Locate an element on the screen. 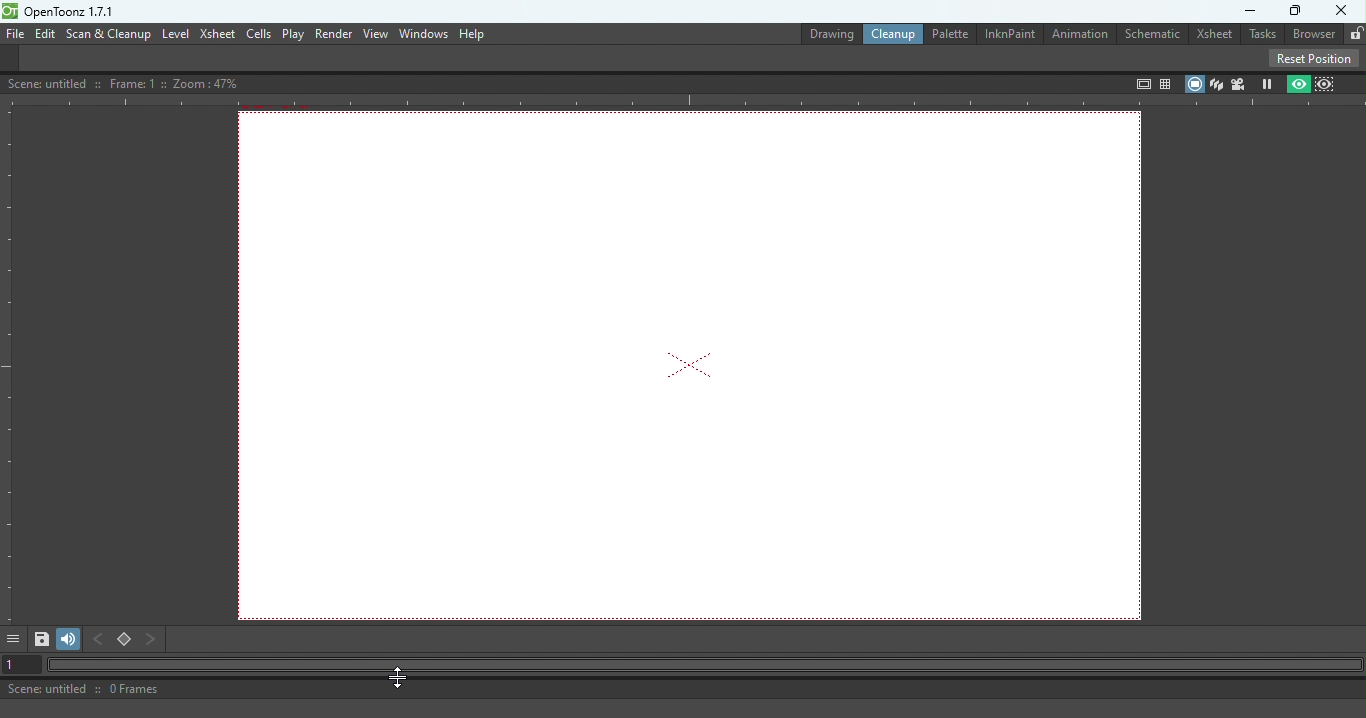 The width and height of the screenshot is (1366, 718). Set key is located at coordinates (125, 640).